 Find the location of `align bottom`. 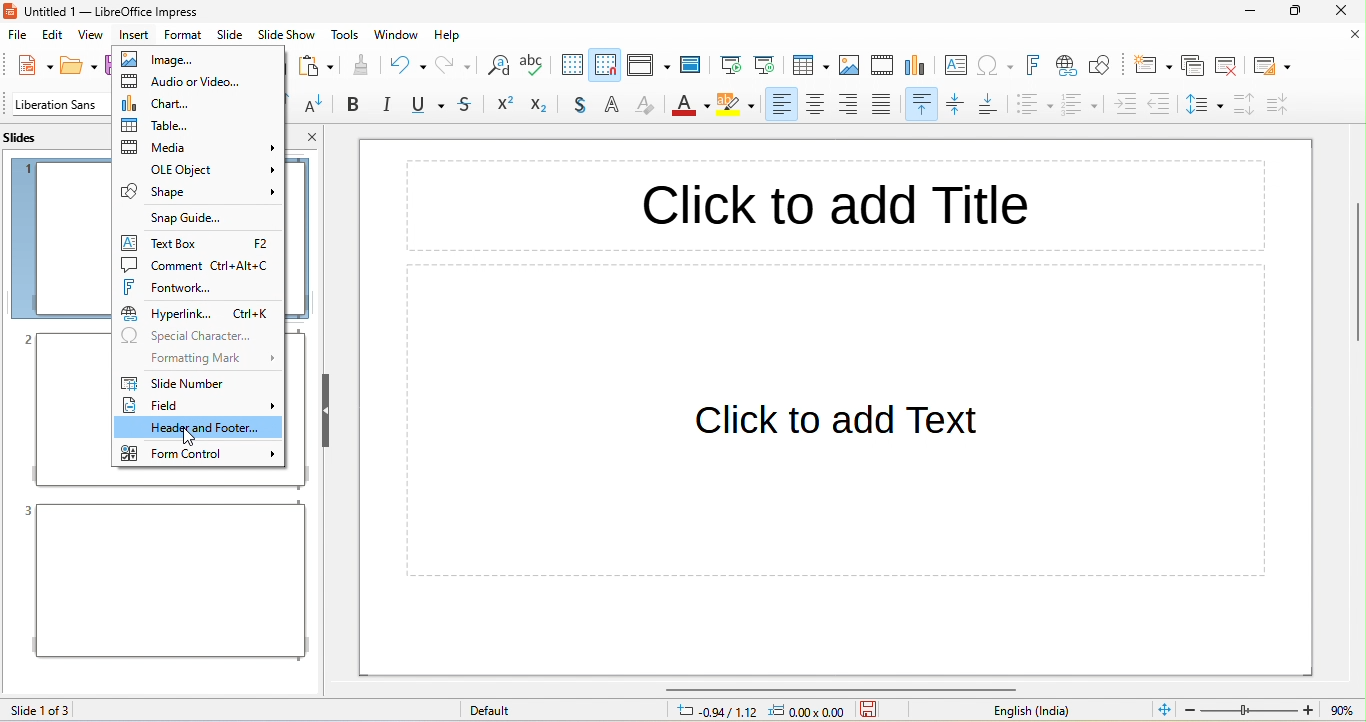

align bottom is located at coordinates (992, 105).